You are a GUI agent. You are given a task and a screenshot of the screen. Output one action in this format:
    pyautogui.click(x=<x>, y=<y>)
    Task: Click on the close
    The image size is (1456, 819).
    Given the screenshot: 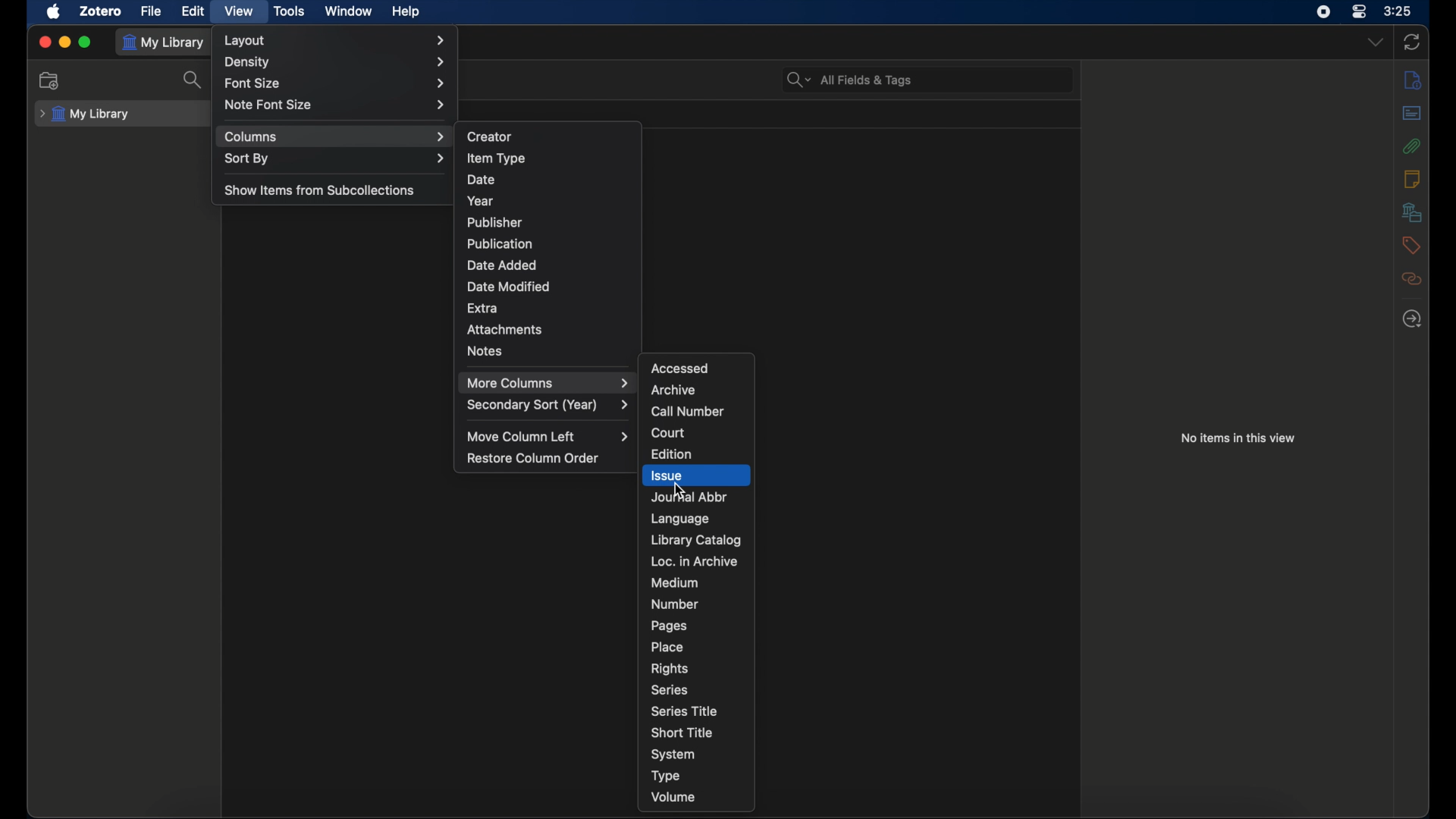 What is the action you would take?
    pyautogui.click(x=44, y=41)
    